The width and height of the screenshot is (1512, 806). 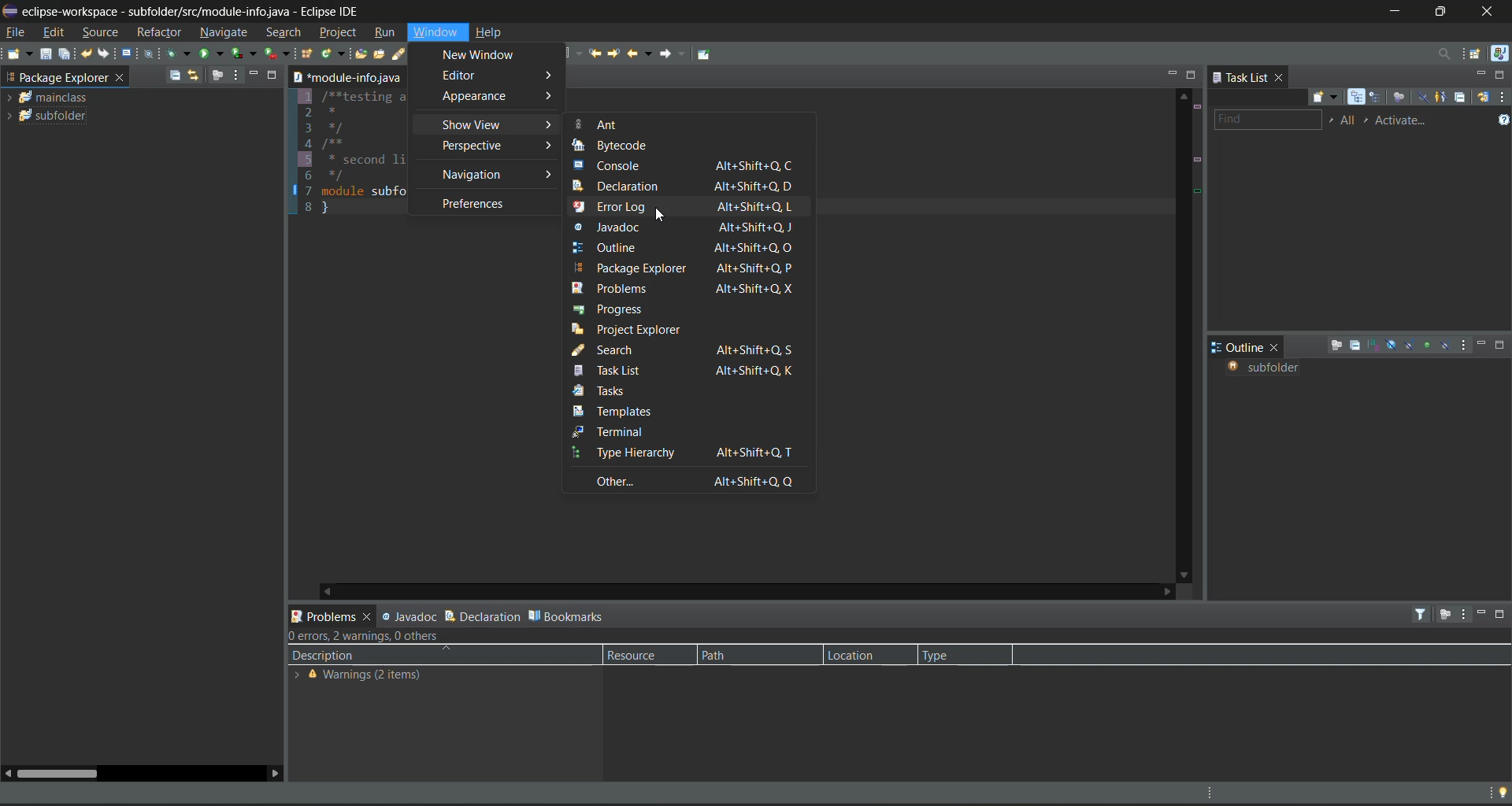 I want to click on line details, so click(x=1200, y=178).